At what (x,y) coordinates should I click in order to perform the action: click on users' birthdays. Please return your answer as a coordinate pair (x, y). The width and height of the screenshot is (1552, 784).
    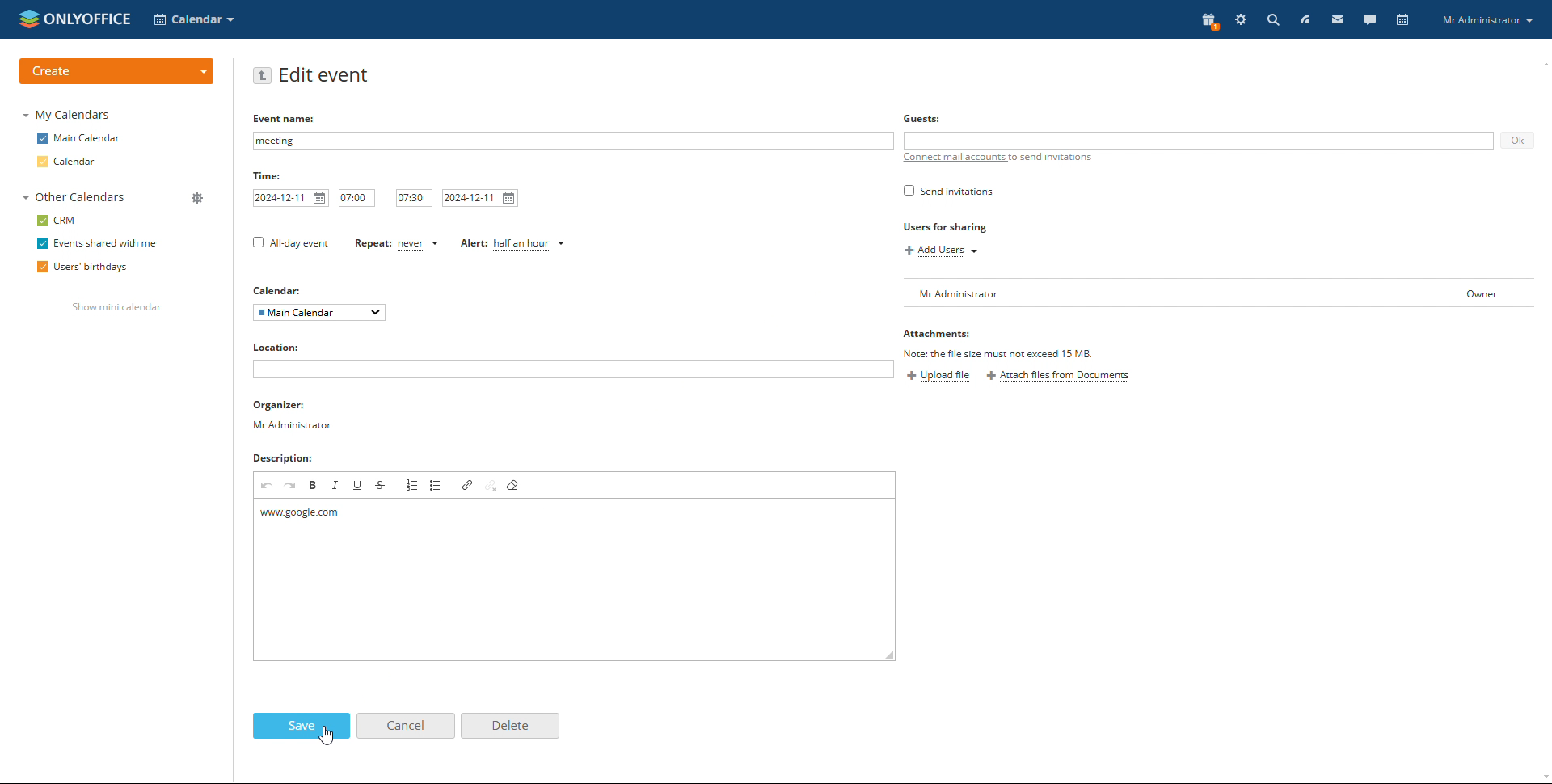
    Looking at the image, I should click on (82, 268).